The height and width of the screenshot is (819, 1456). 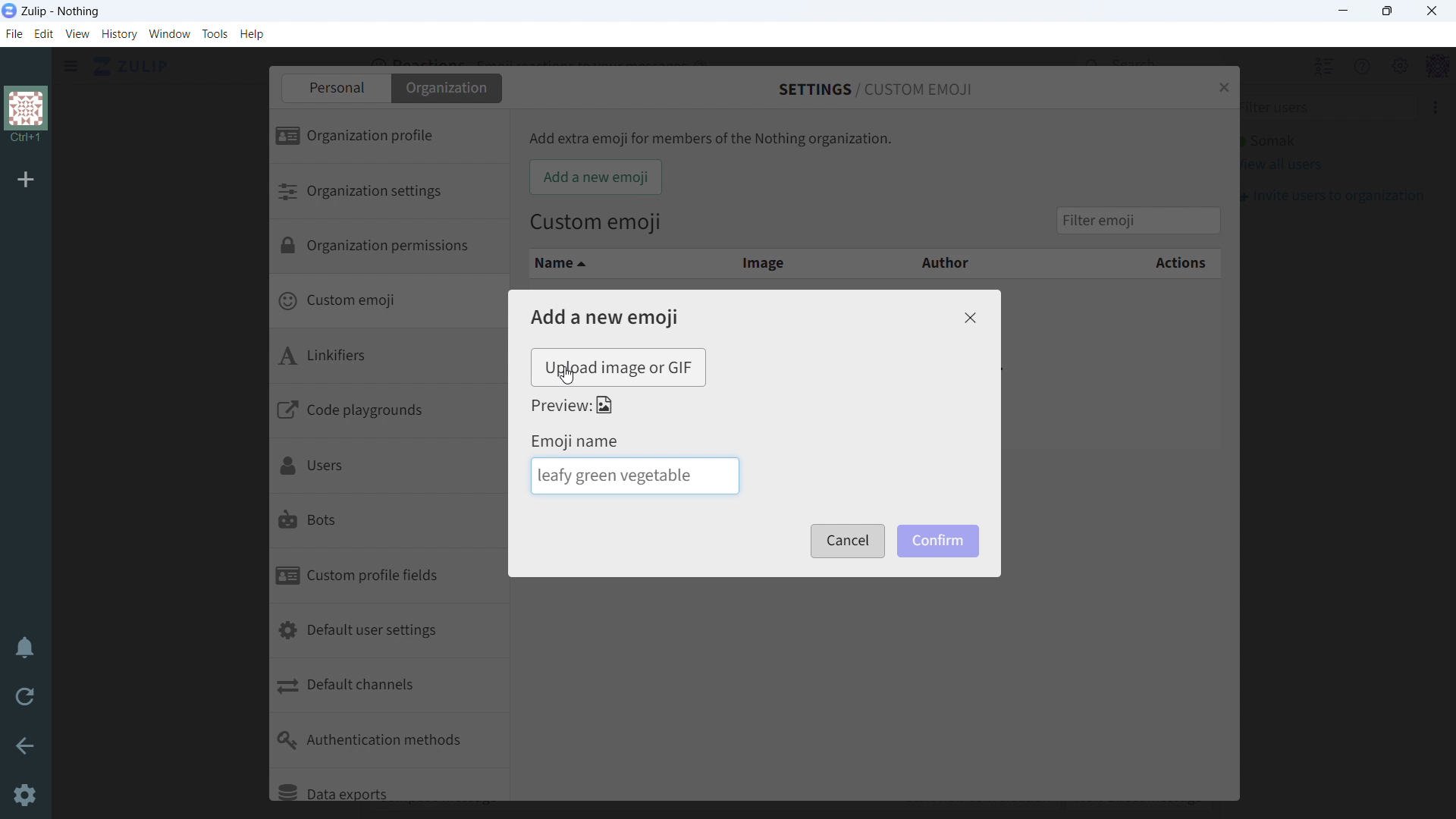 I want to click on emoji name, so click(x=636, y=477).